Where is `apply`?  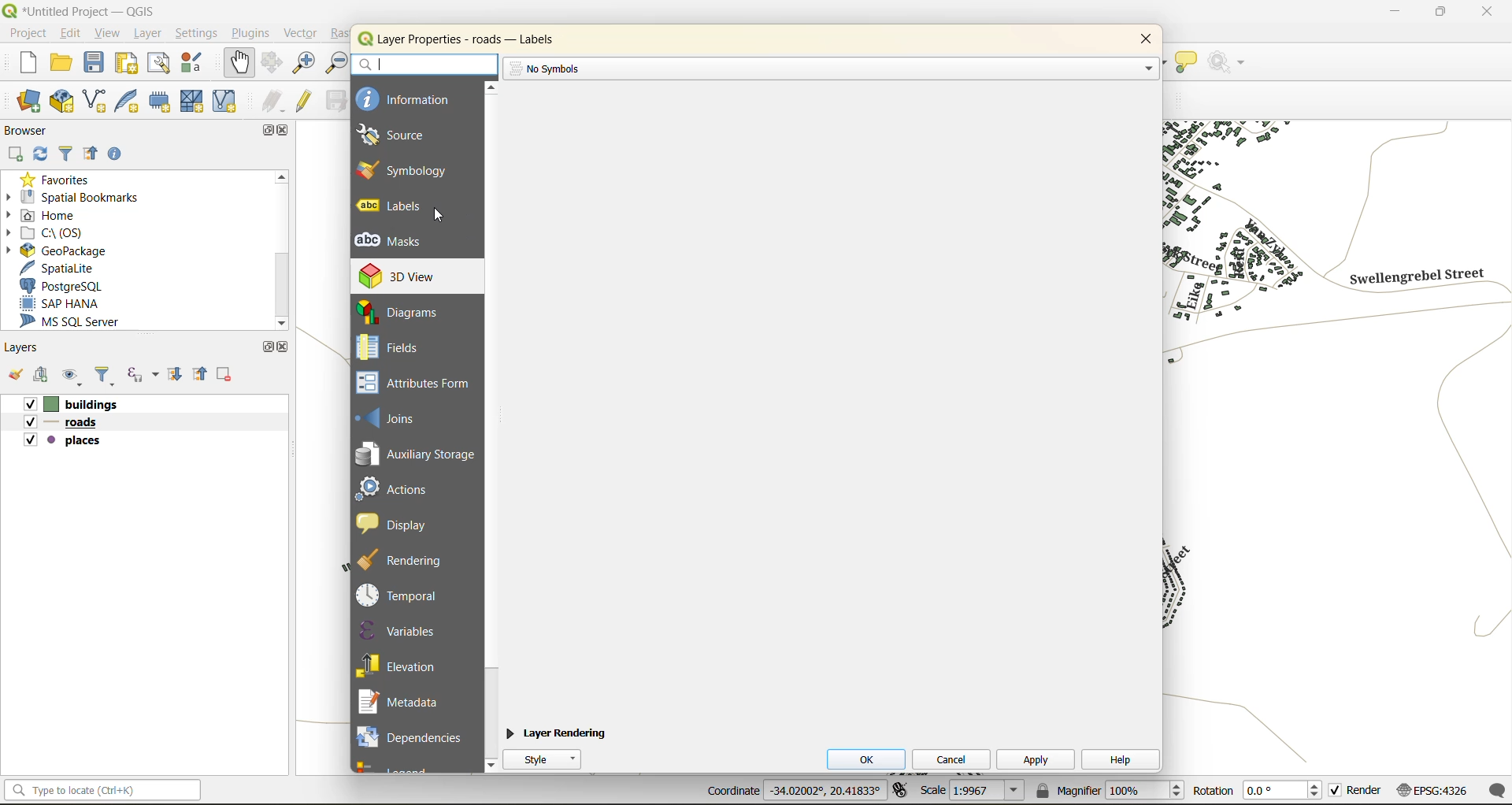
apply is located at coordinates (1035, 759).